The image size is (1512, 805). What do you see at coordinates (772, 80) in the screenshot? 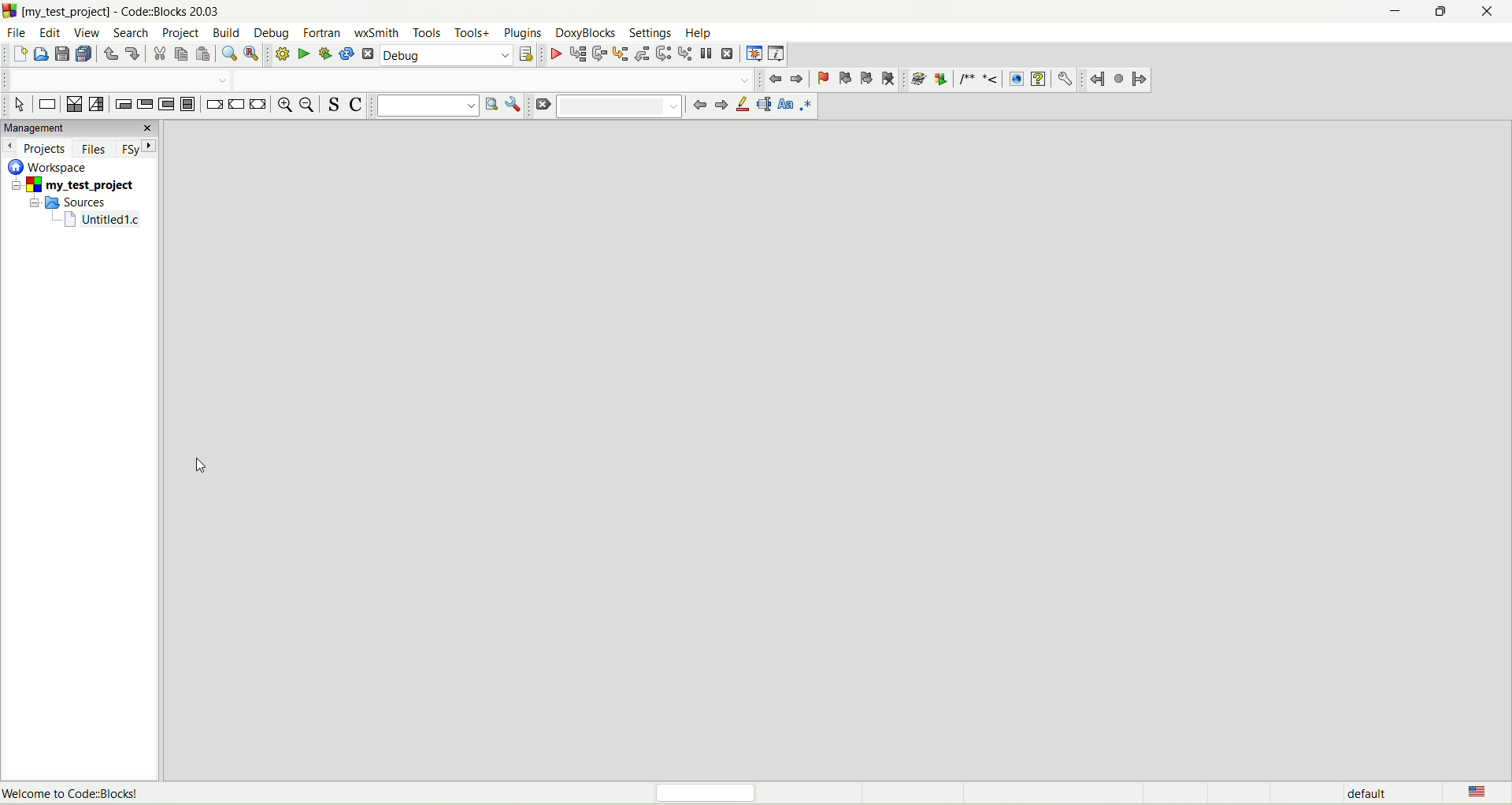
I see `jump back` at bounding box center [772, 80].